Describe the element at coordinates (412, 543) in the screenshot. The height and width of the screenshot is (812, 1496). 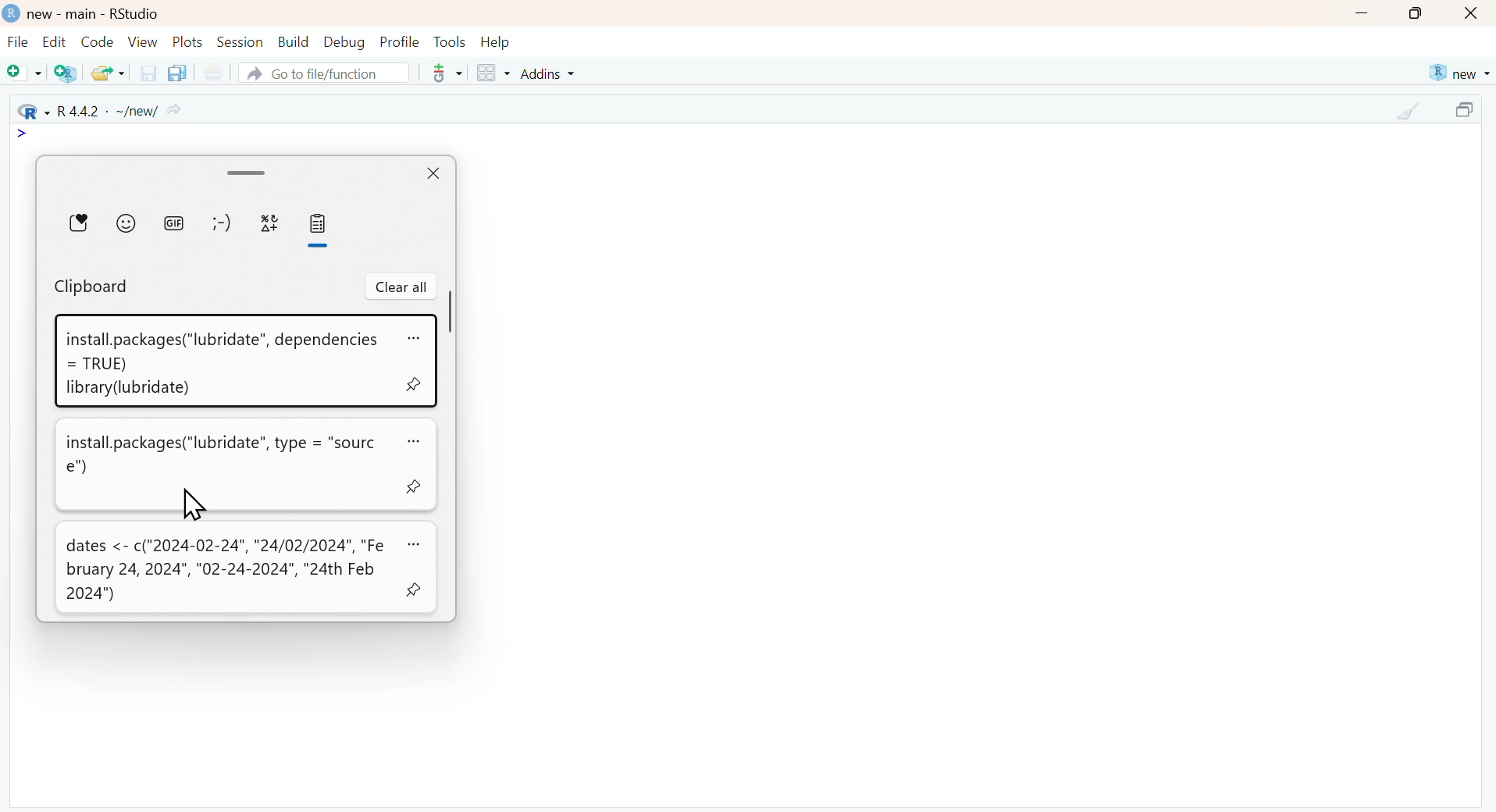
I see `more options` at that location.